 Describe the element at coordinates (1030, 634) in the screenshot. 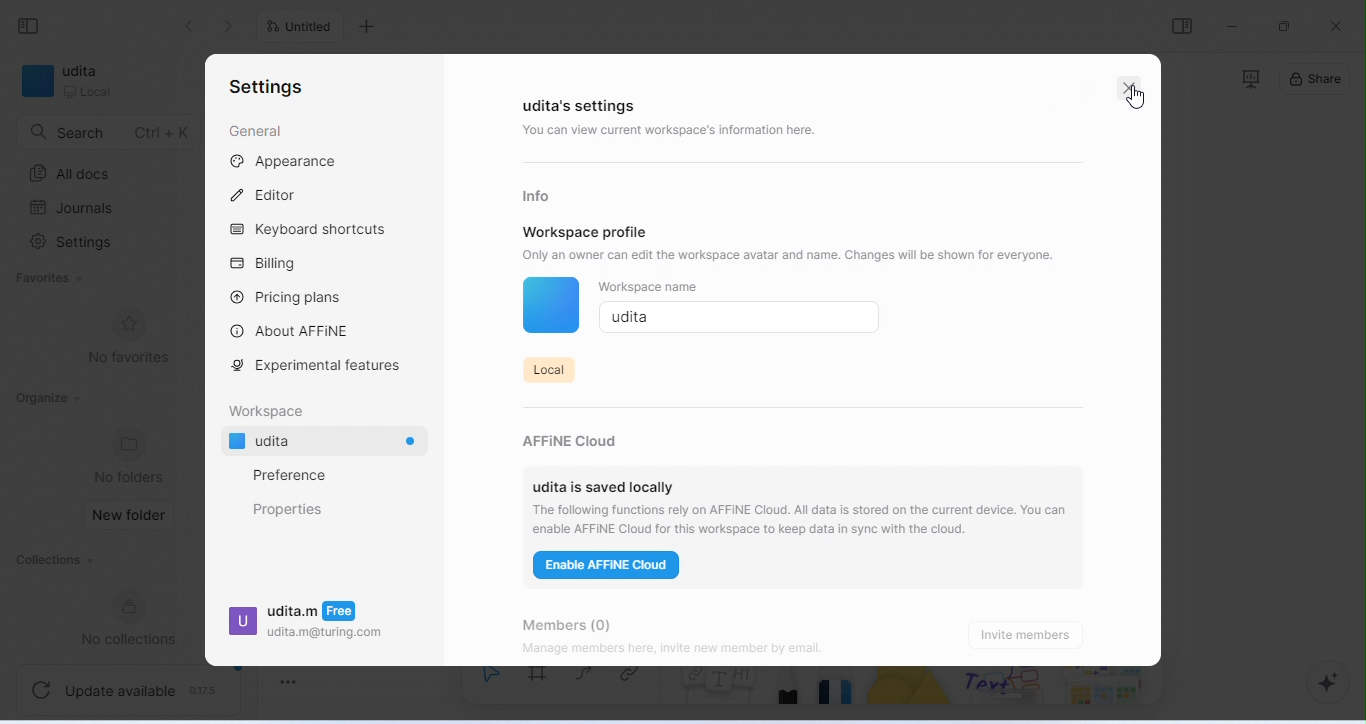

I see `invite members` at that location.